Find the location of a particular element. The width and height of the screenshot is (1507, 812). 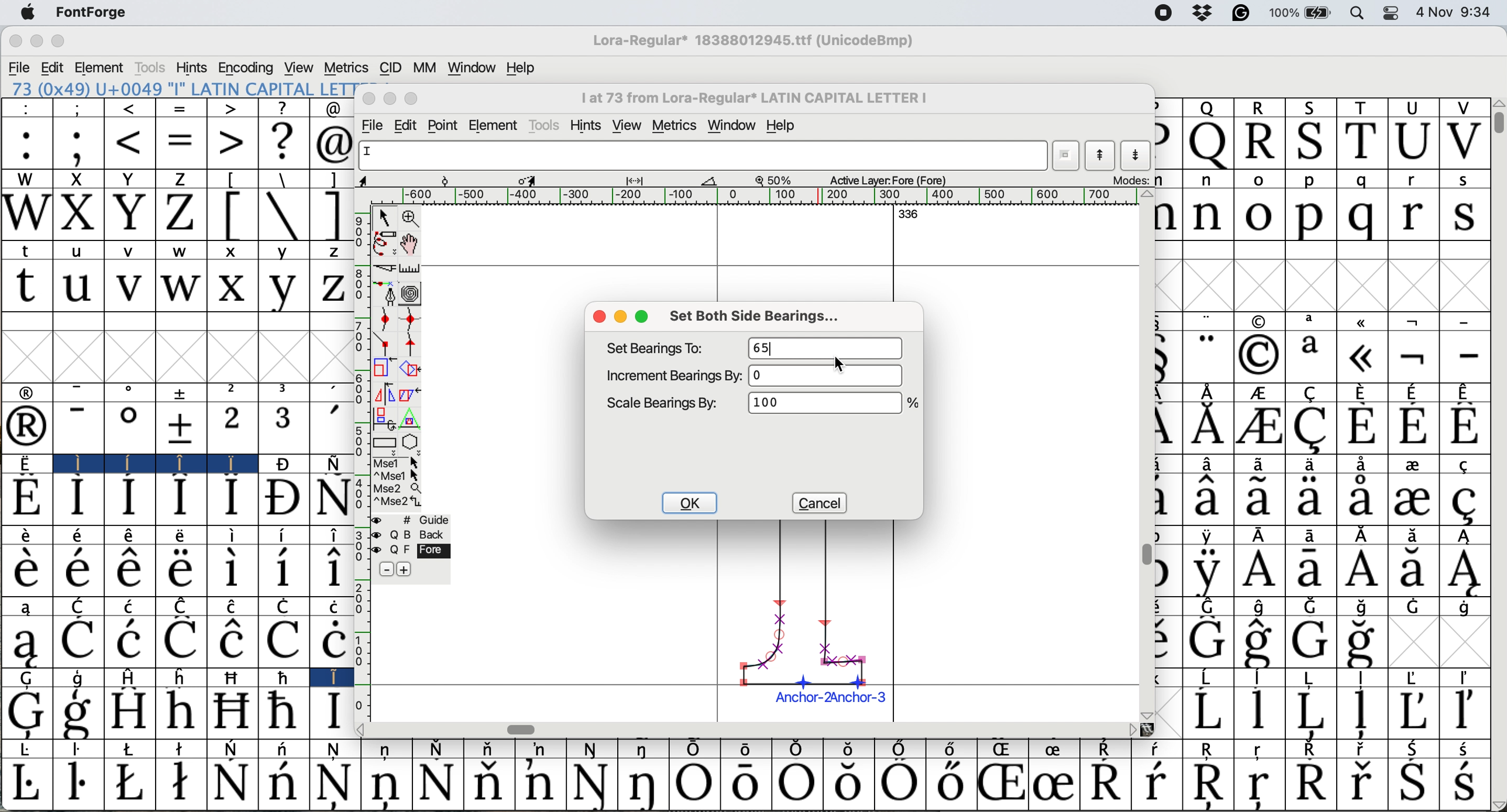

3 is located at coordinates (285, 428).